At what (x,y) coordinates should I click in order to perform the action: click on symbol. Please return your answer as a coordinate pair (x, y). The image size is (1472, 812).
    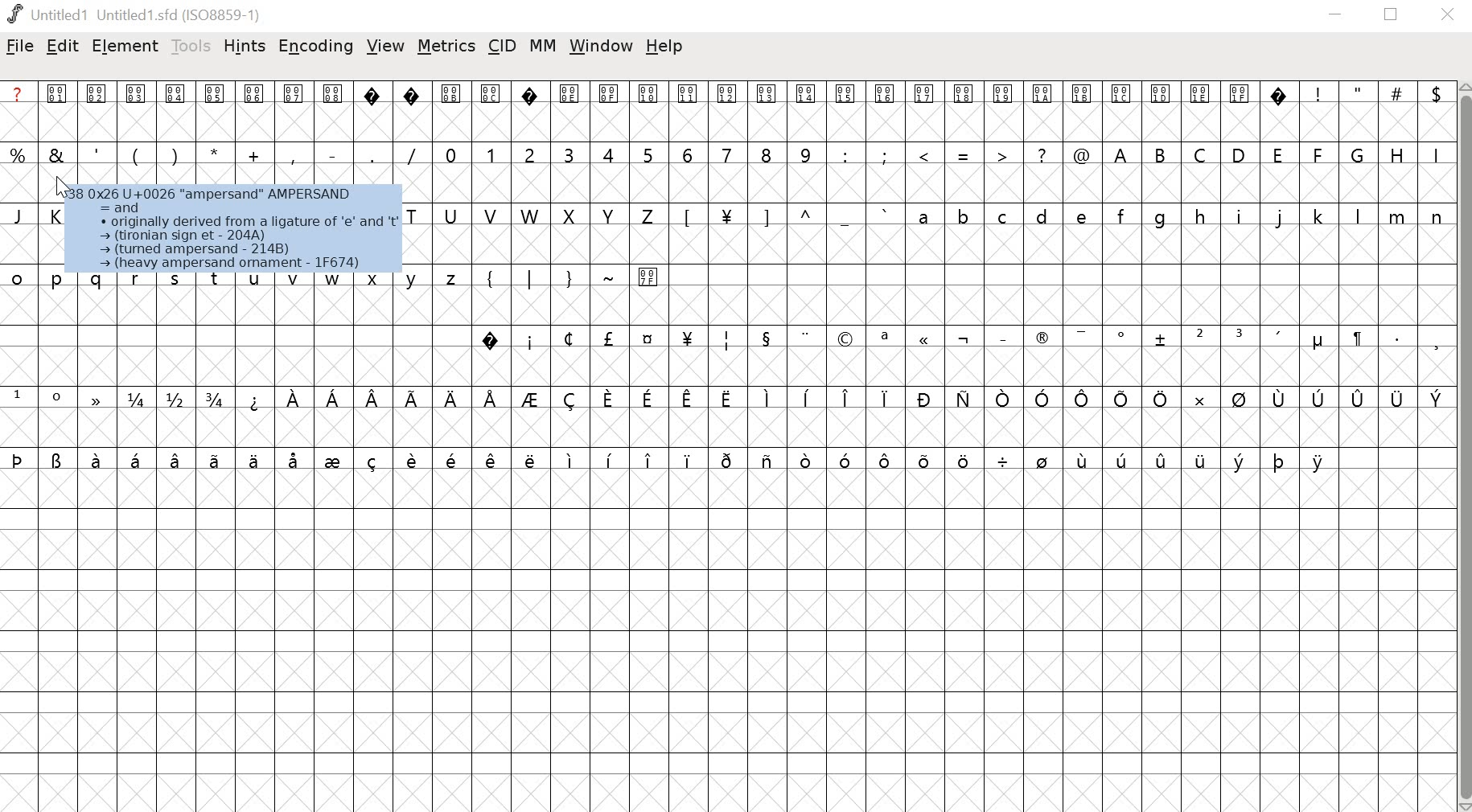
    Looking at the image, I should click on (1084, 459).